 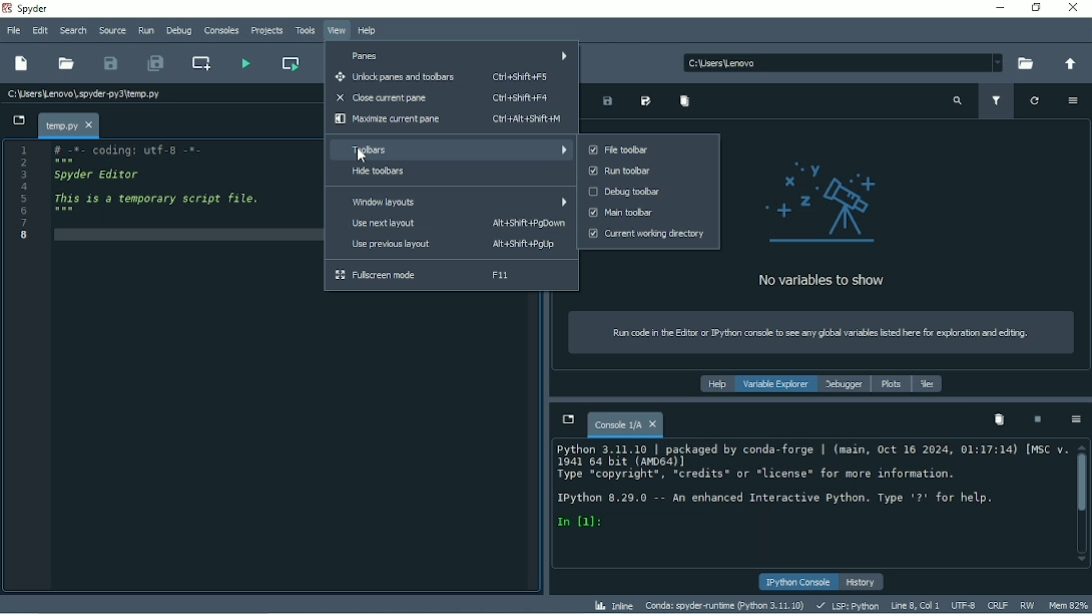 What do you see at coordinates (607, 102) in the screenshot?
I see `Save data` at bounding box center [607, 102].